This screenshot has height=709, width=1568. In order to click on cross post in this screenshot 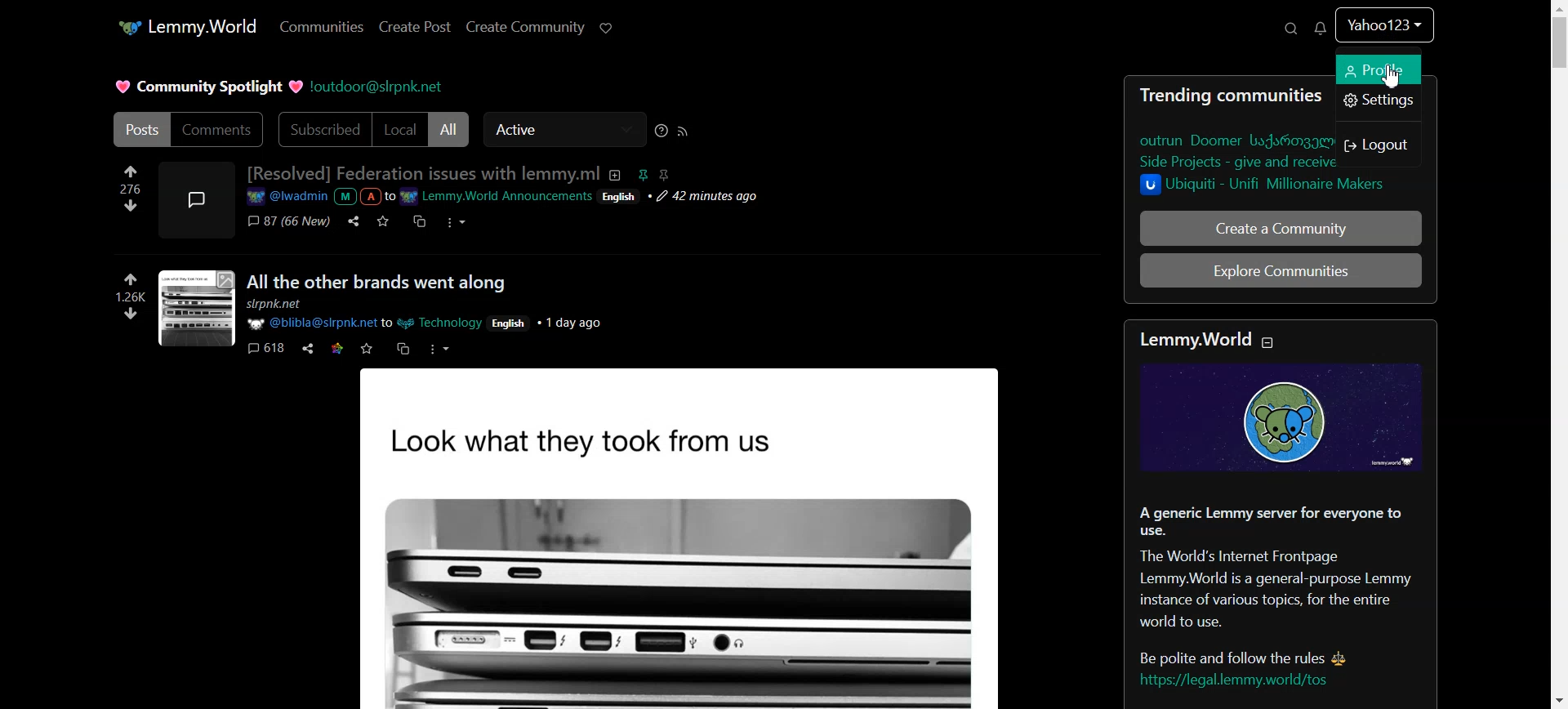, I will do `click(403, 348)`.